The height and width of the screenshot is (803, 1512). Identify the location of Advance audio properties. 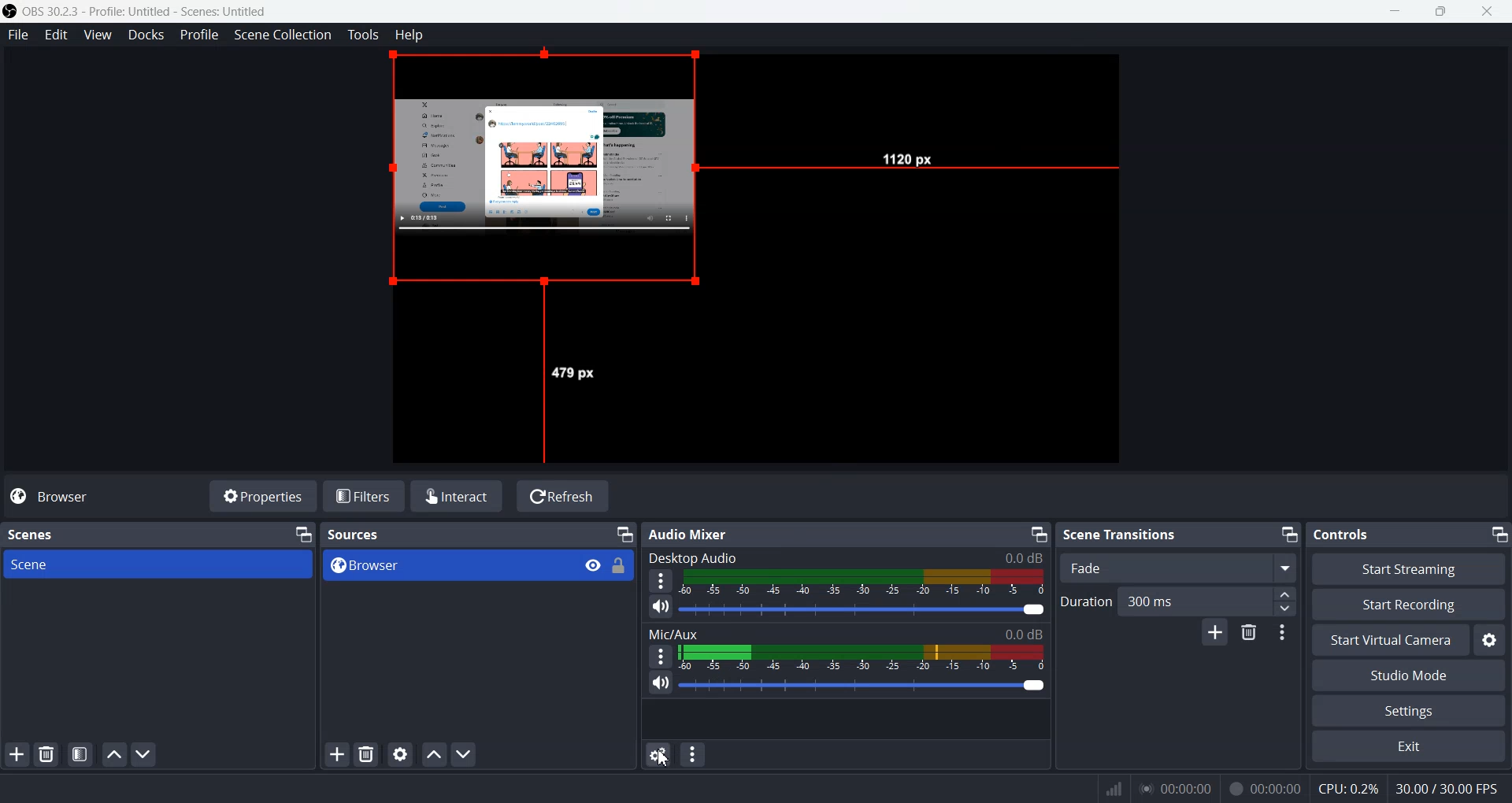
(656, 754).